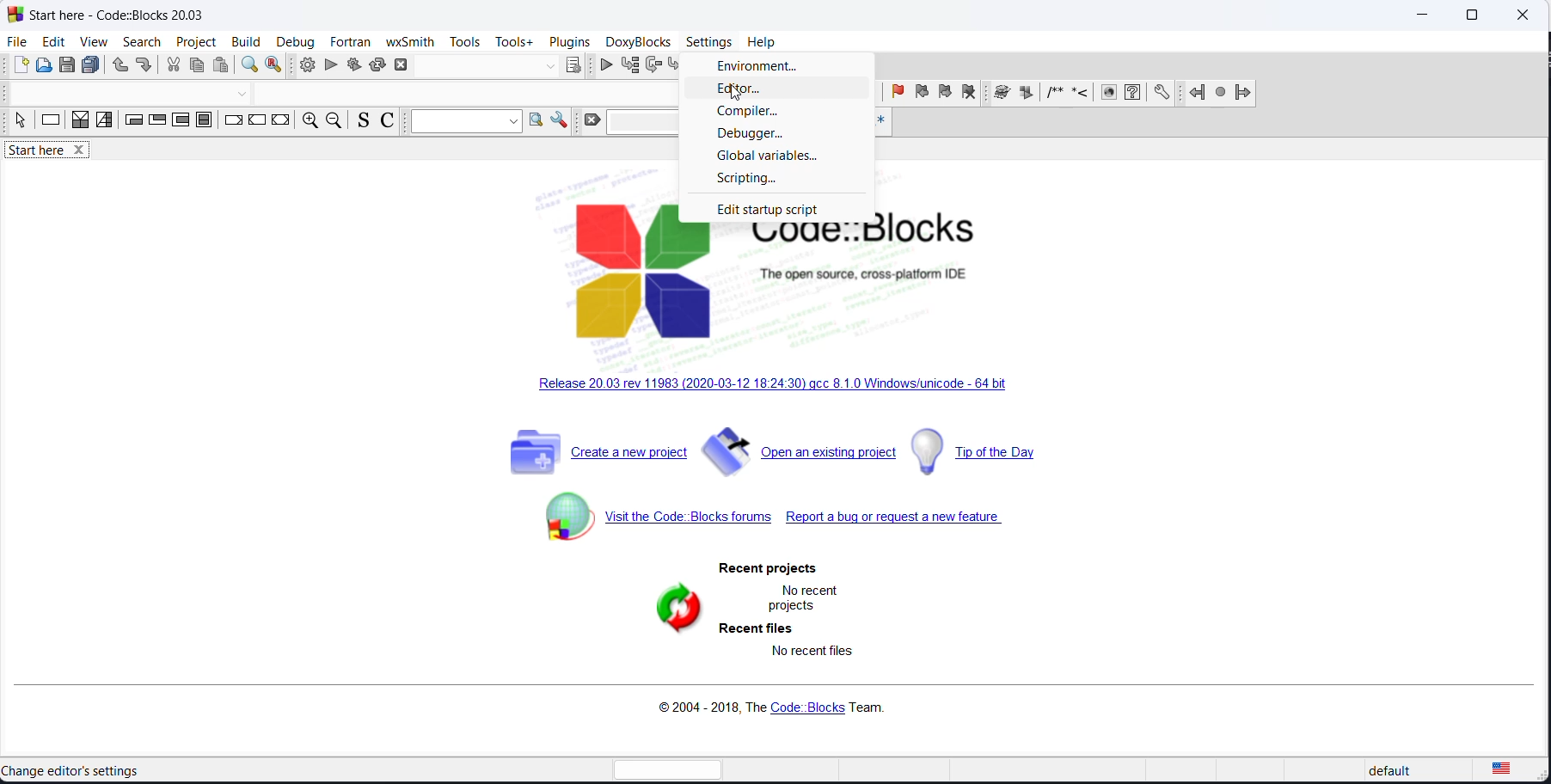  Describe the element at coordinates (540, 123) in the screenshot. I see `option window` at that location.